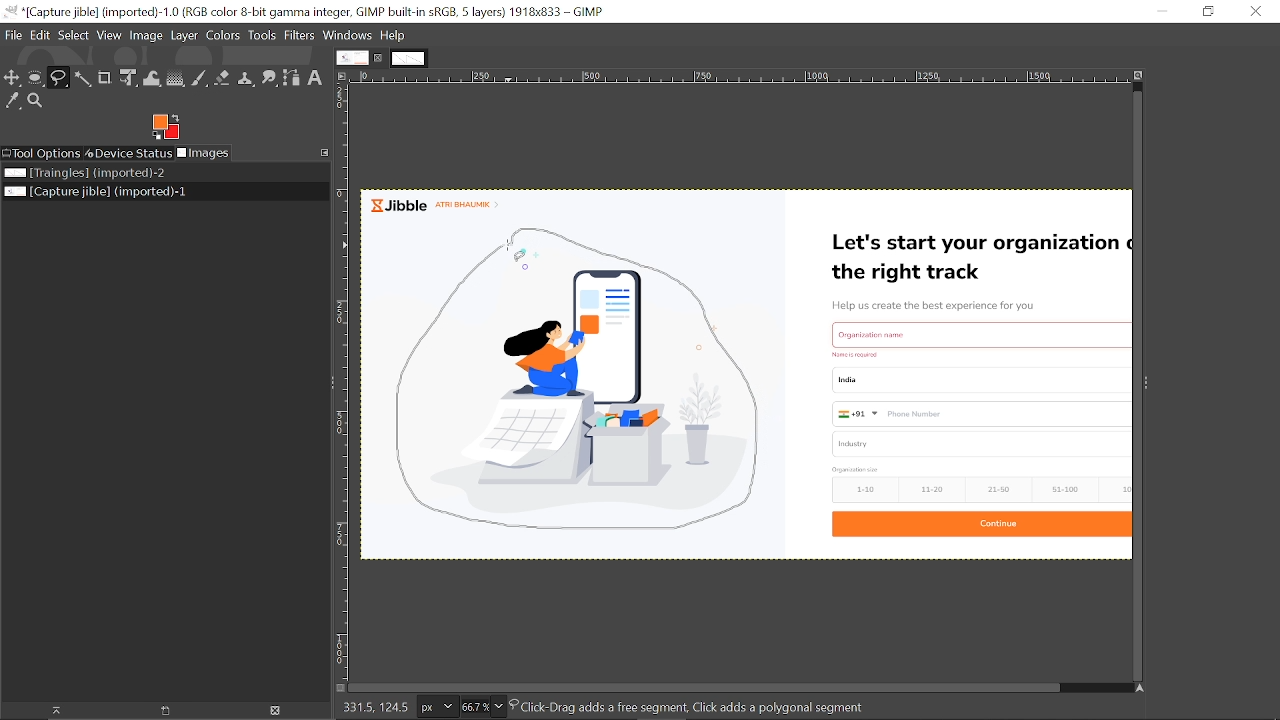  I want to click on coordinates, so click(372, 708).